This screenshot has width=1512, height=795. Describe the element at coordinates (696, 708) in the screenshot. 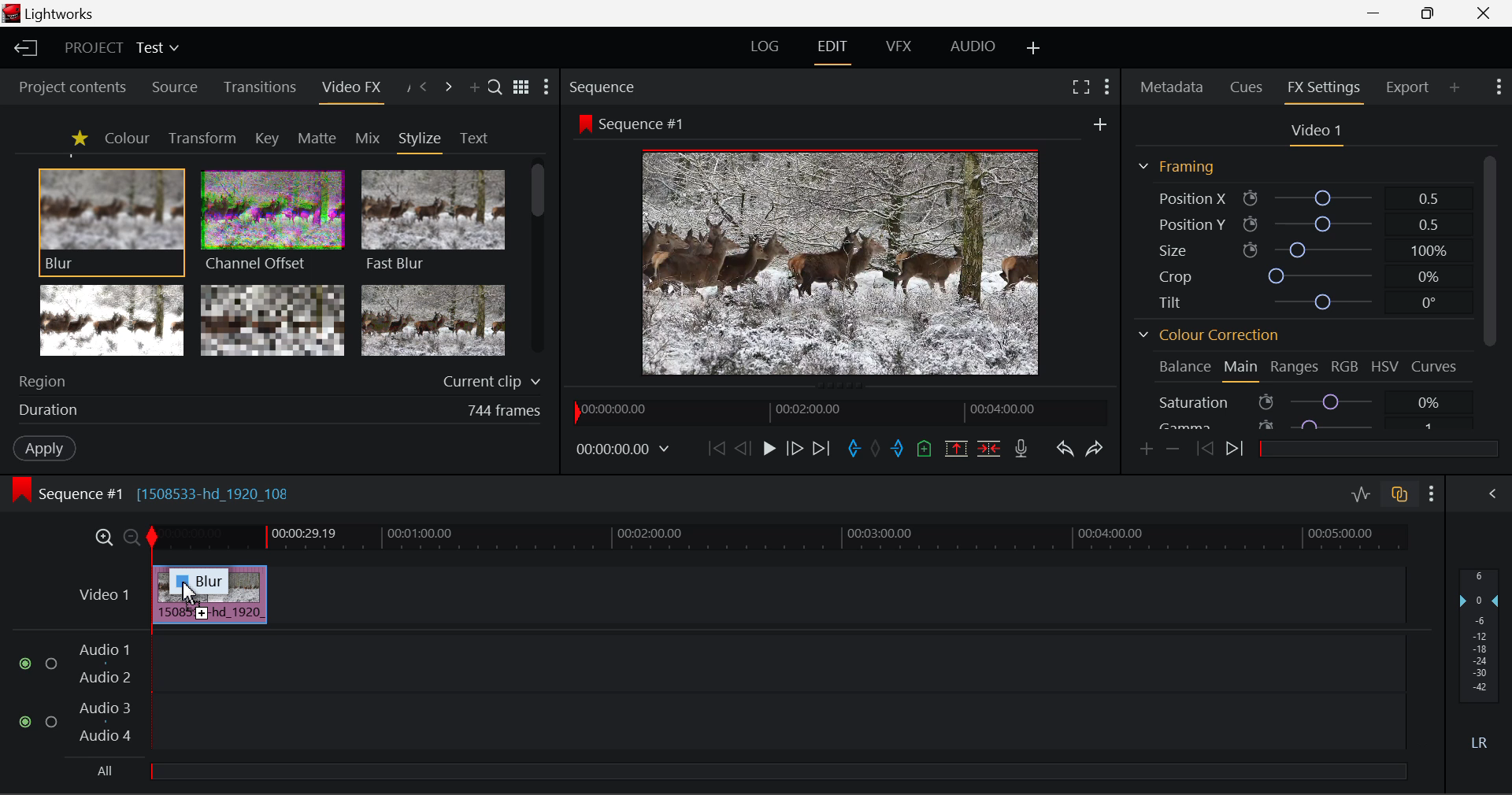

I see `Audio Input Field` at that location.